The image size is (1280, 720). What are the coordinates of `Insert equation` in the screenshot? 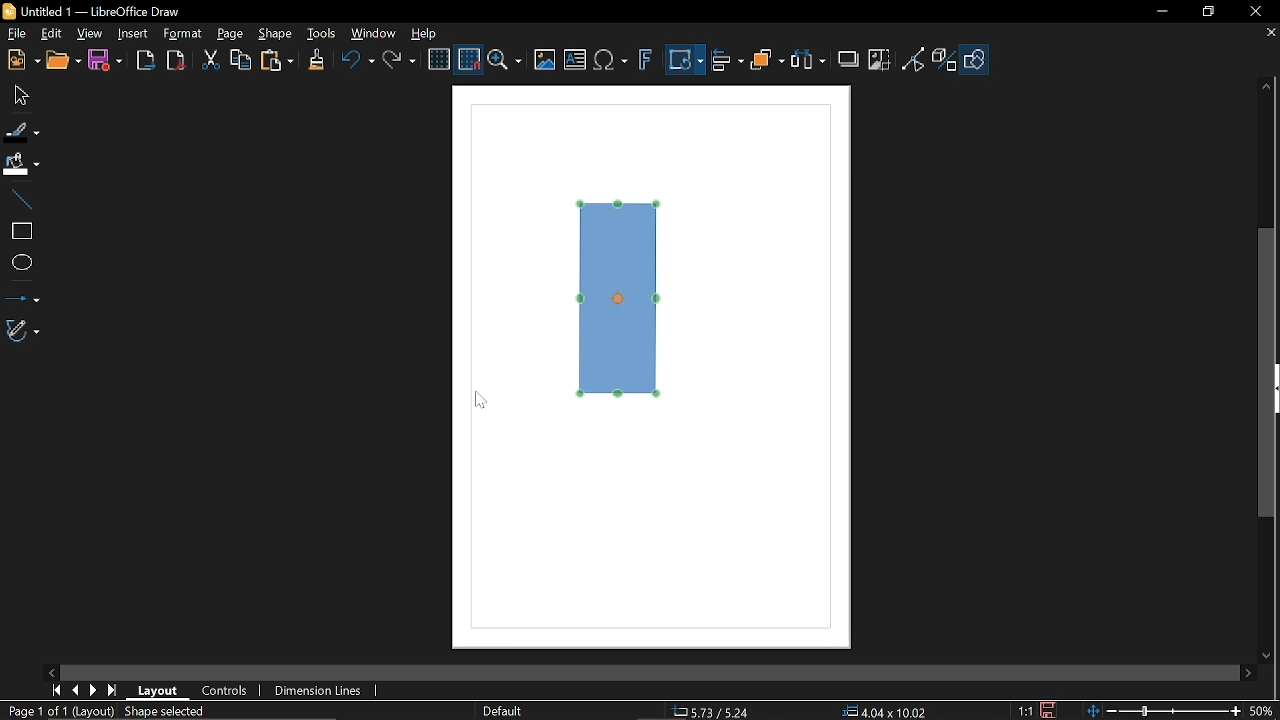 It's located at (610, 63).